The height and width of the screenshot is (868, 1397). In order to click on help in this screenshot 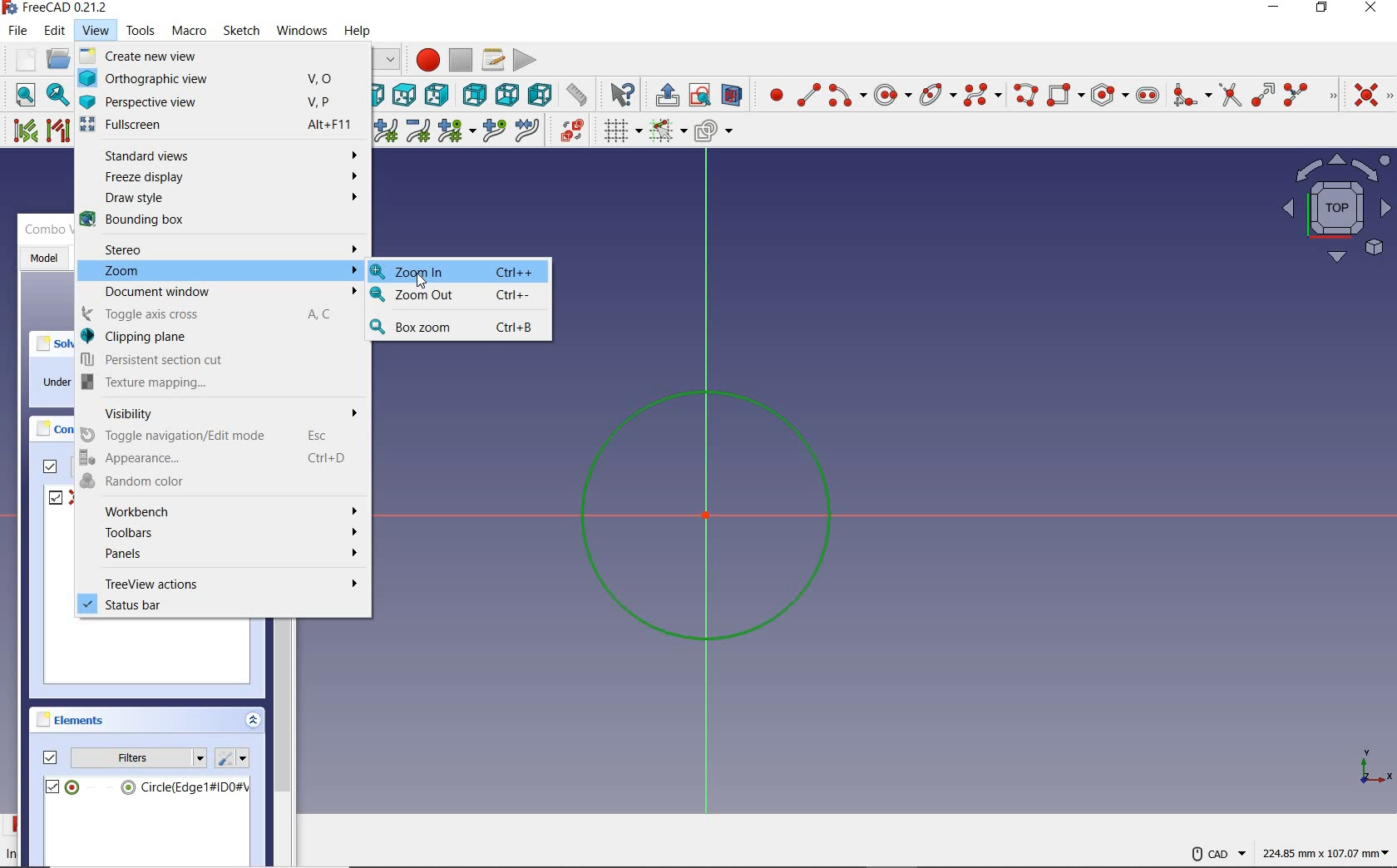, I will do `click(362, 32)`.